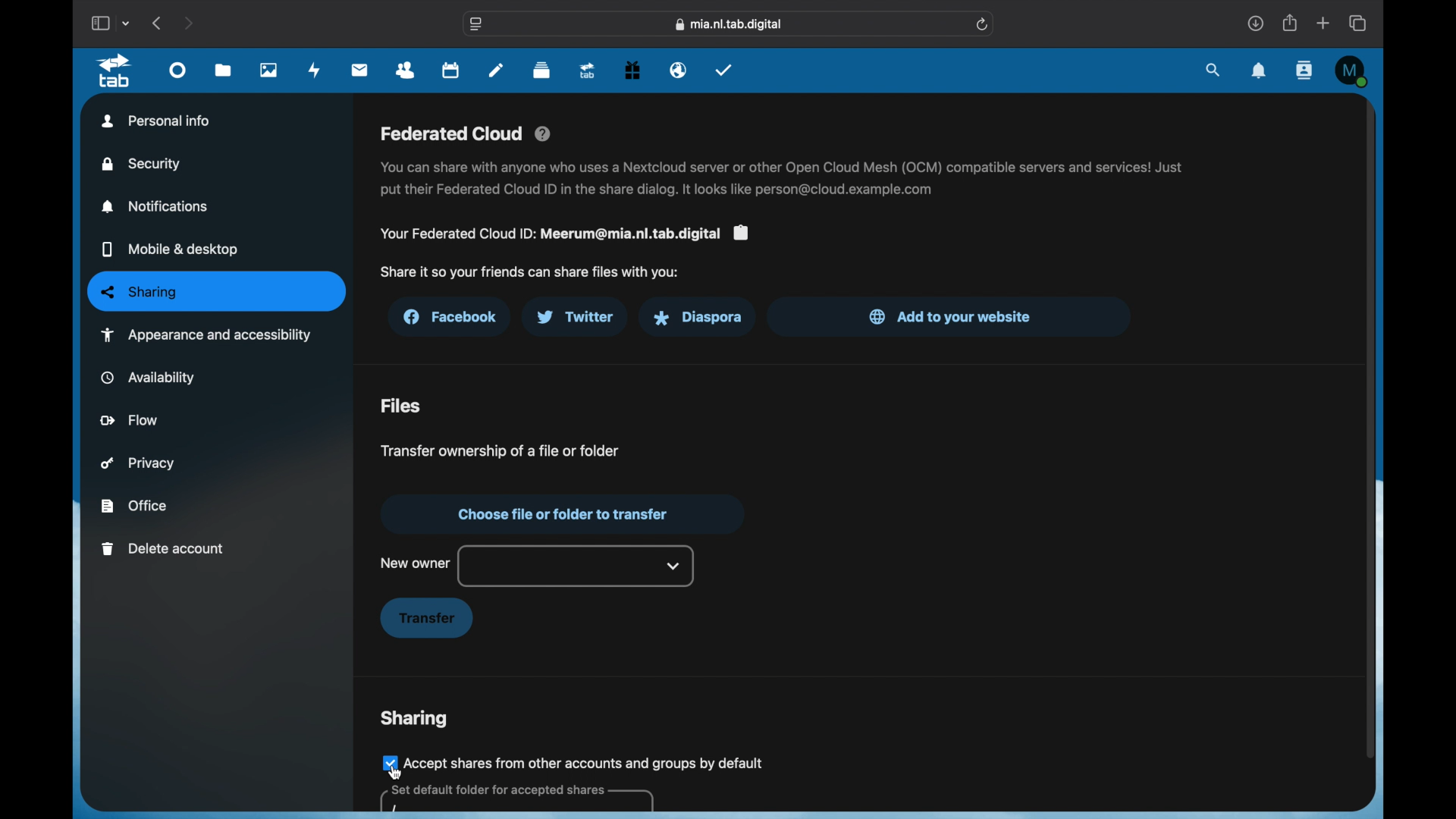 Image resolution: width=1456 pixels, height=819 pixels. What do you see at coordinates (679, 71) in the screenshot?
I see `email` at bounding box center [679, 71].